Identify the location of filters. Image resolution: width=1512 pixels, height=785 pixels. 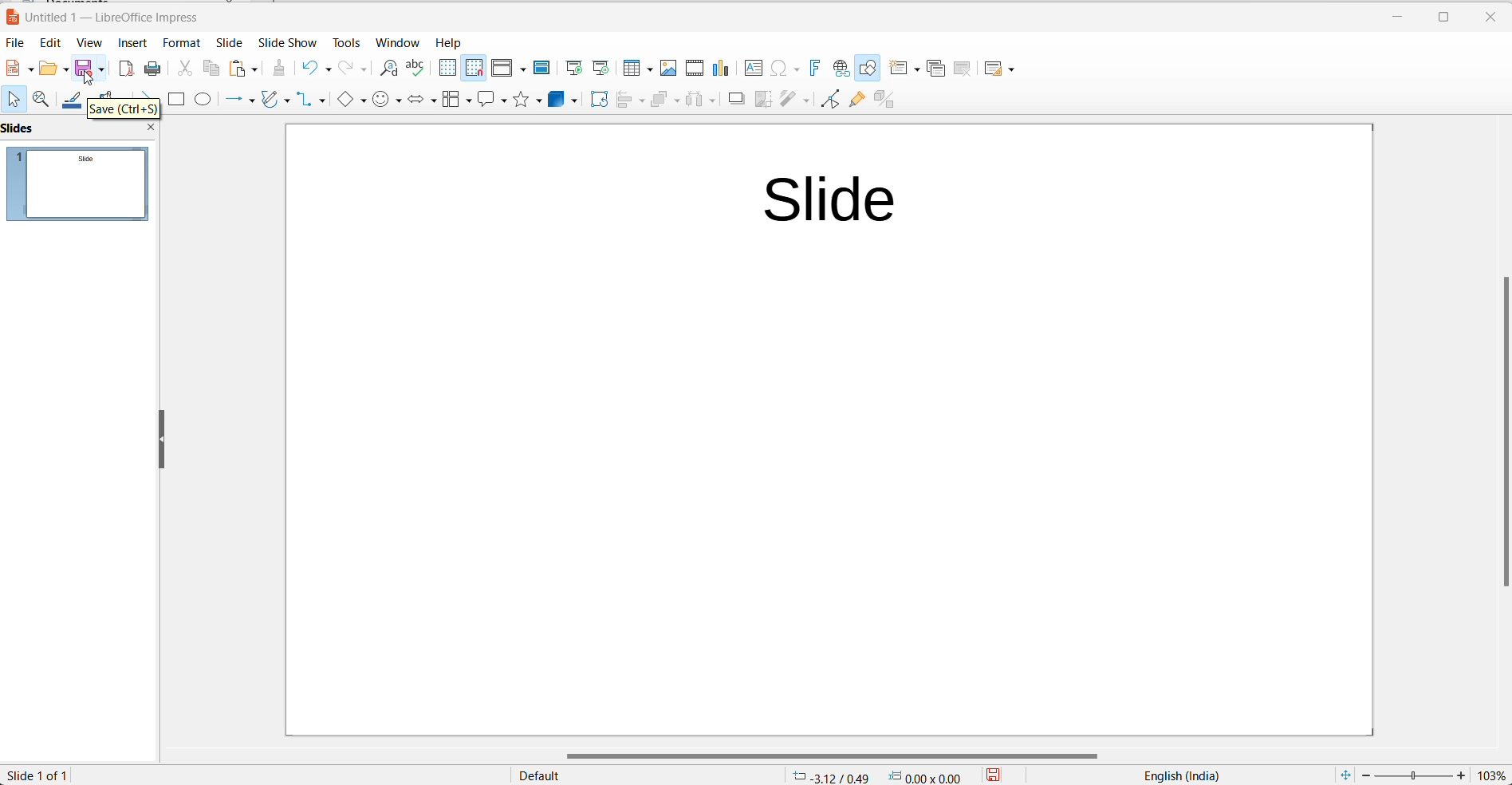
(796, 101).